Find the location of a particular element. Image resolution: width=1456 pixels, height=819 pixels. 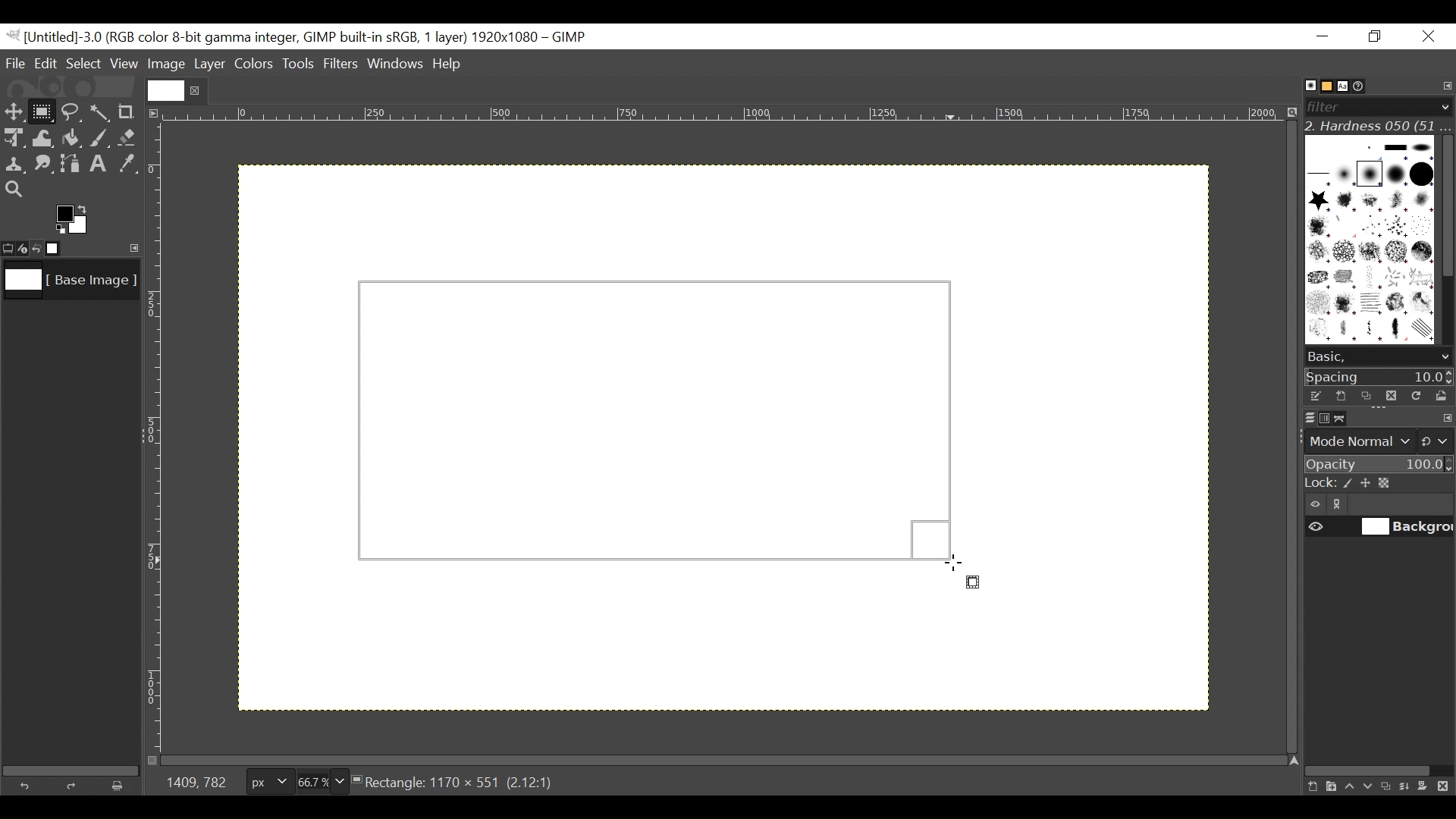

Active background color is located at coordinates (74, 218).